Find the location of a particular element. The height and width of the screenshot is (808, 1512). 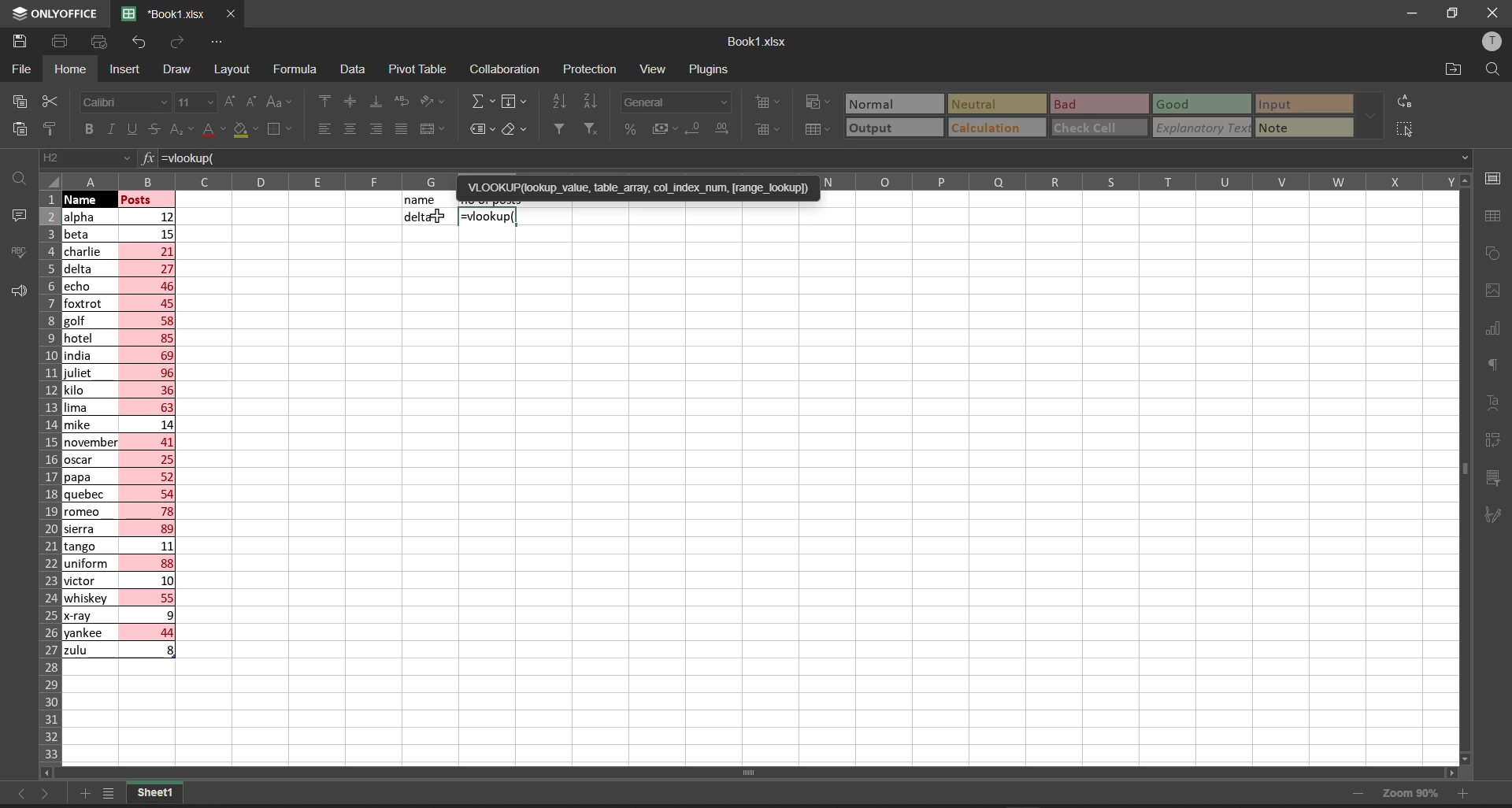

bold is located at coordinates (88, 129).